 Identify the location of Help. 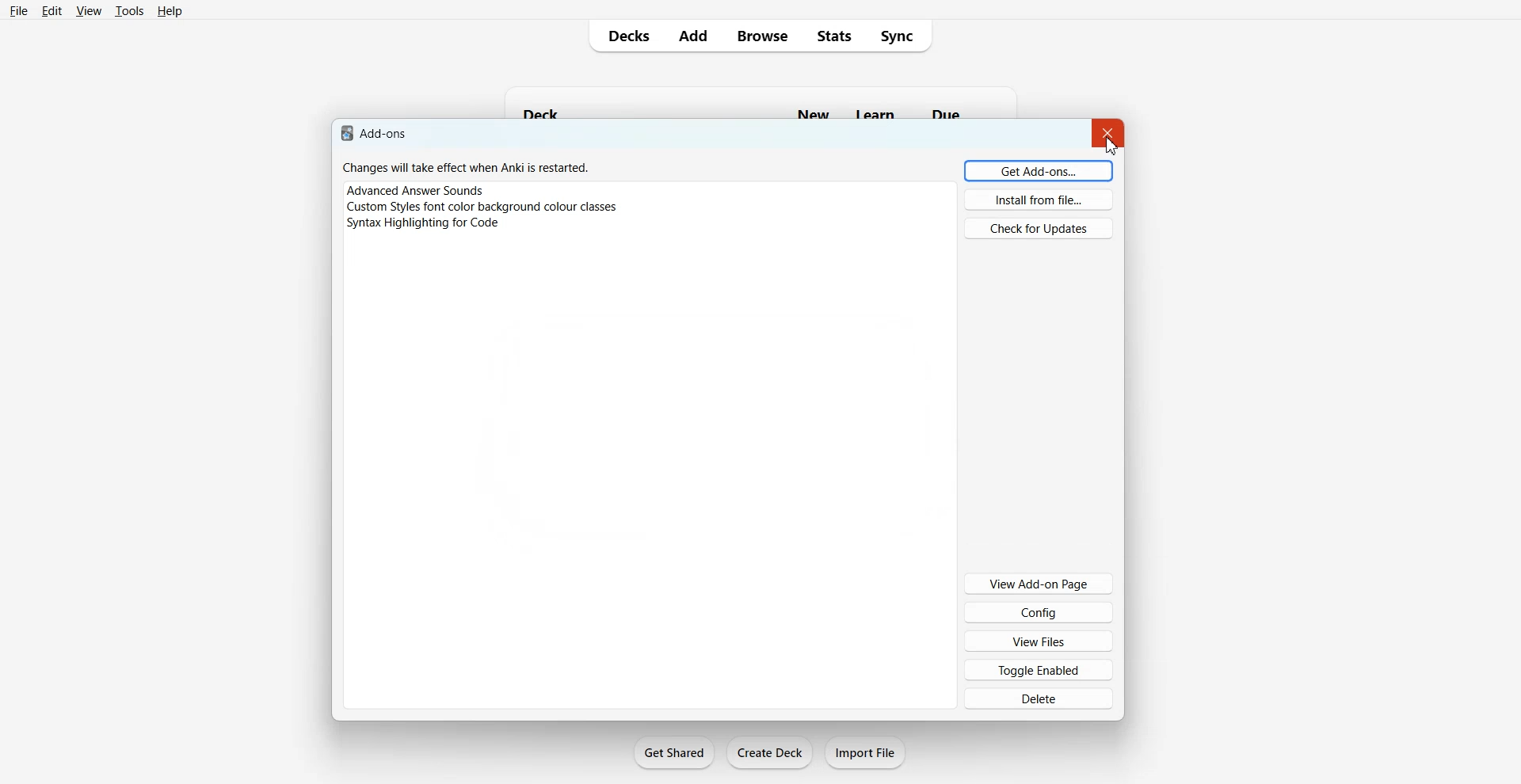
(169, 11).